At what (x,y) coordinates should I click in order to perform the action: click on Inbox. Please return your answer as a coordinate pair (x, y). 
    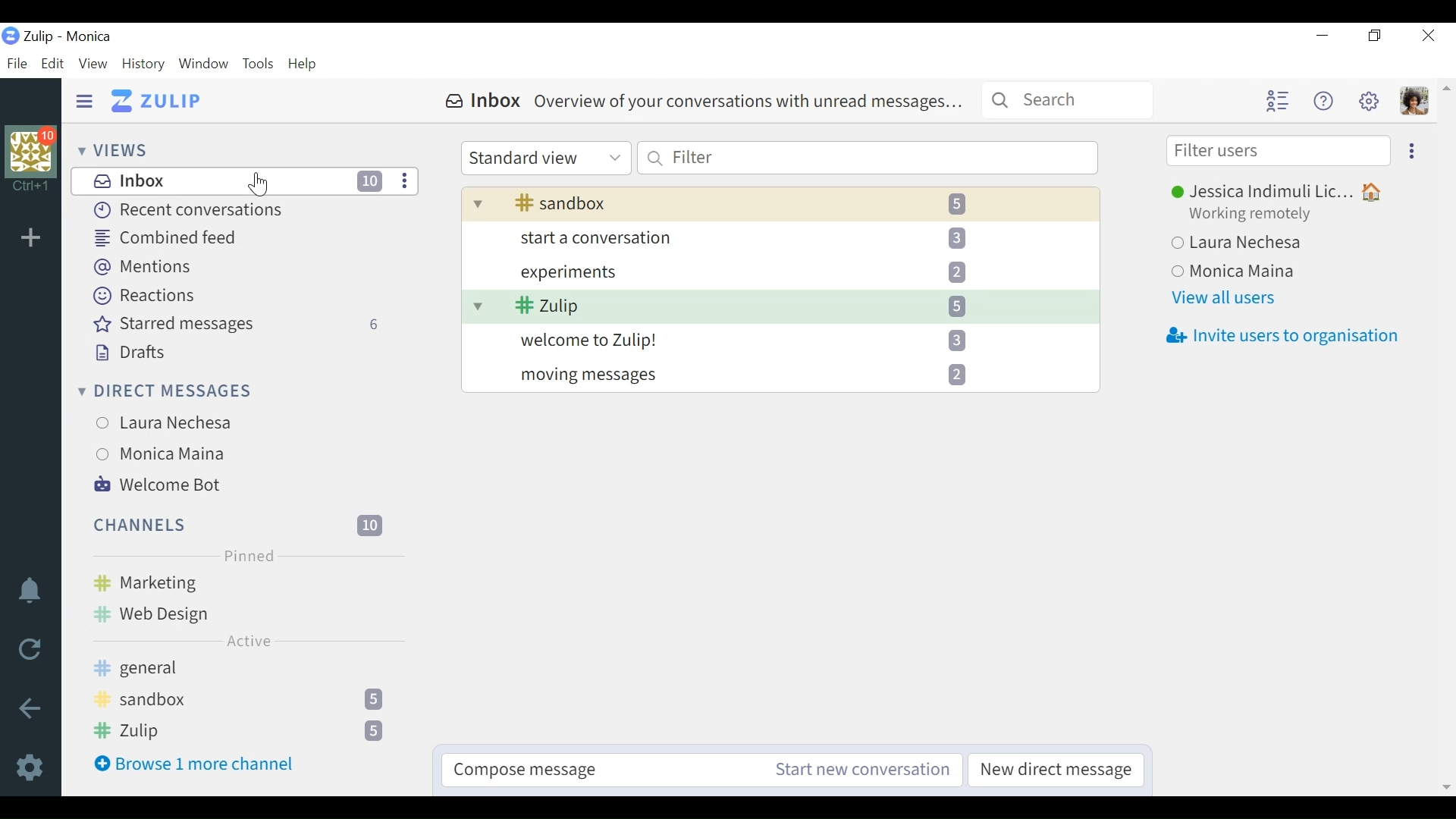
    Looking at the image, I should click on (244, 182).